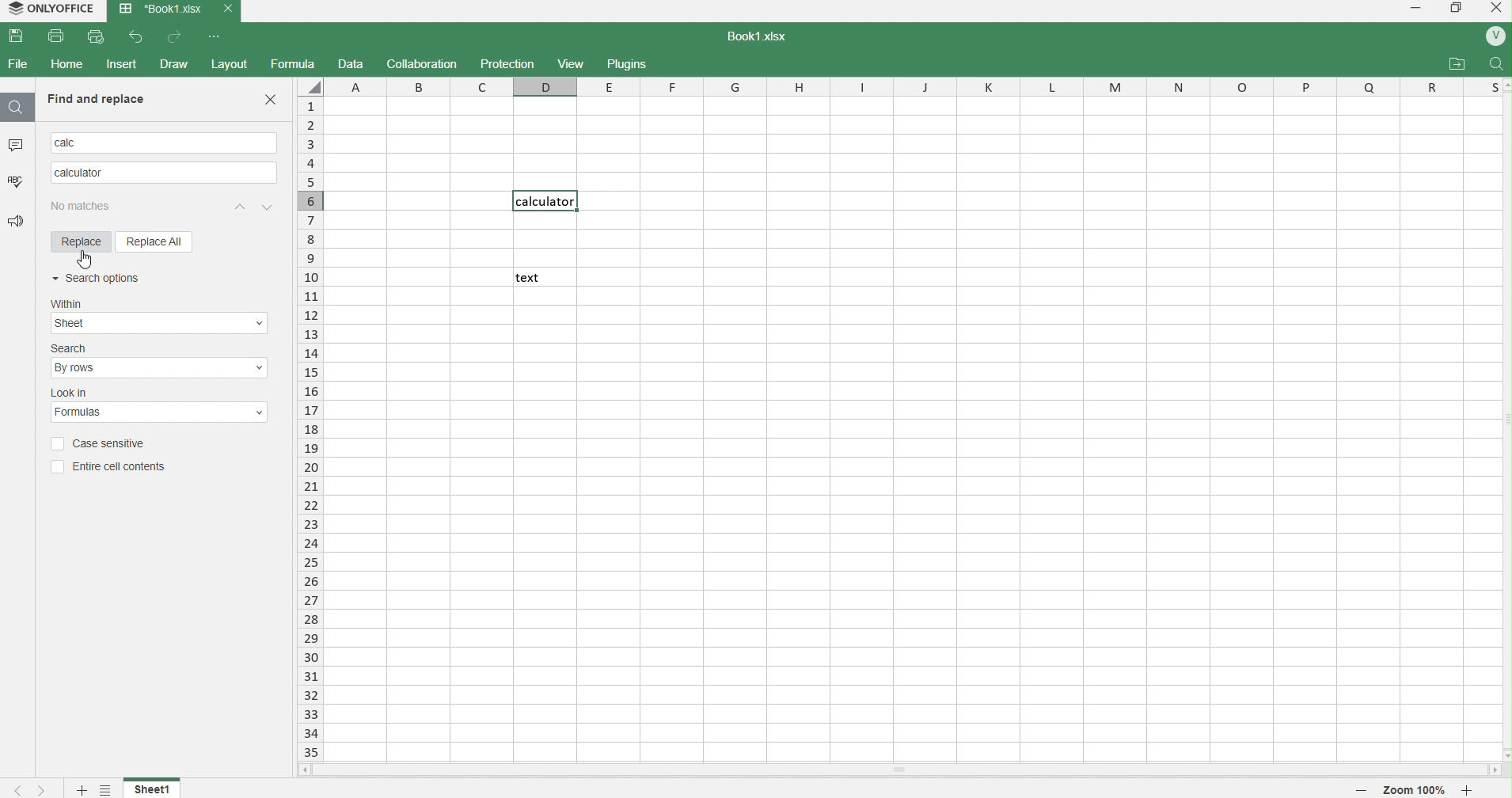  I want to click on print preview, so click(98, 38).